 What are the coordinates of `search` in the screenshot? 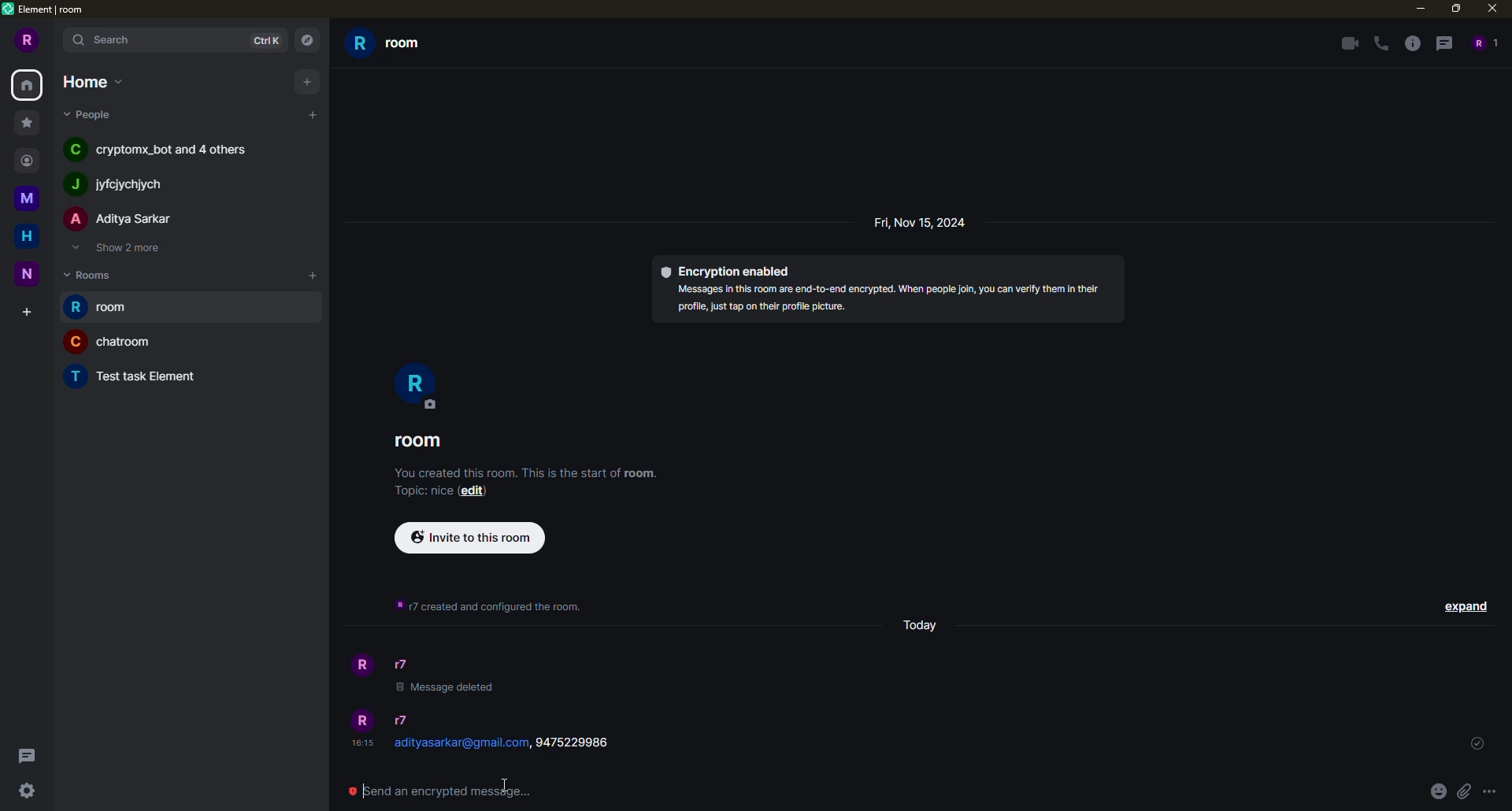 It's located at (107, 40).